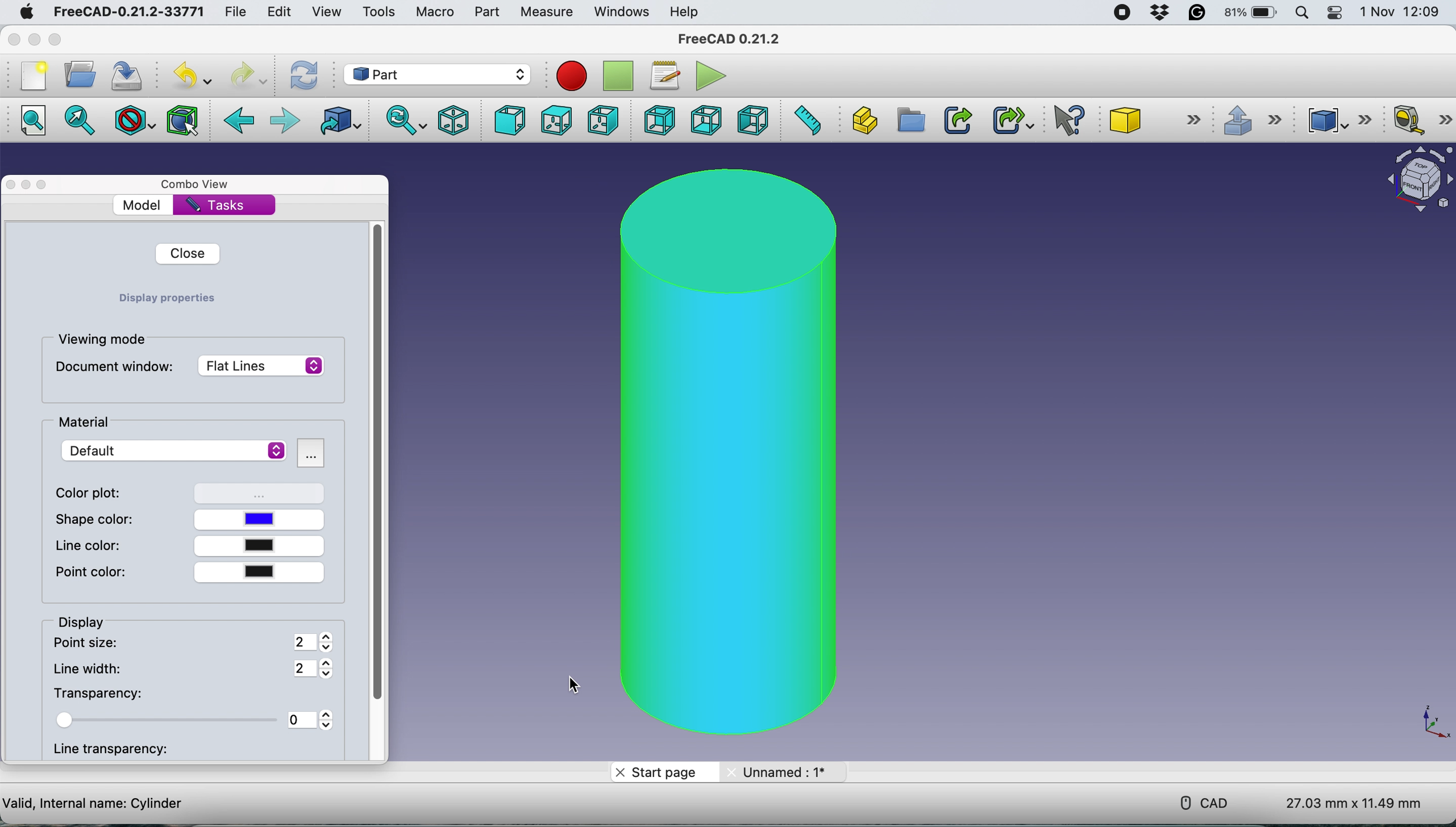 Image resolution: width=1456 pixels, height=827 pixels. Describe the element at coordinates (909, 120) in the screenshot. I see `create group` at that location.